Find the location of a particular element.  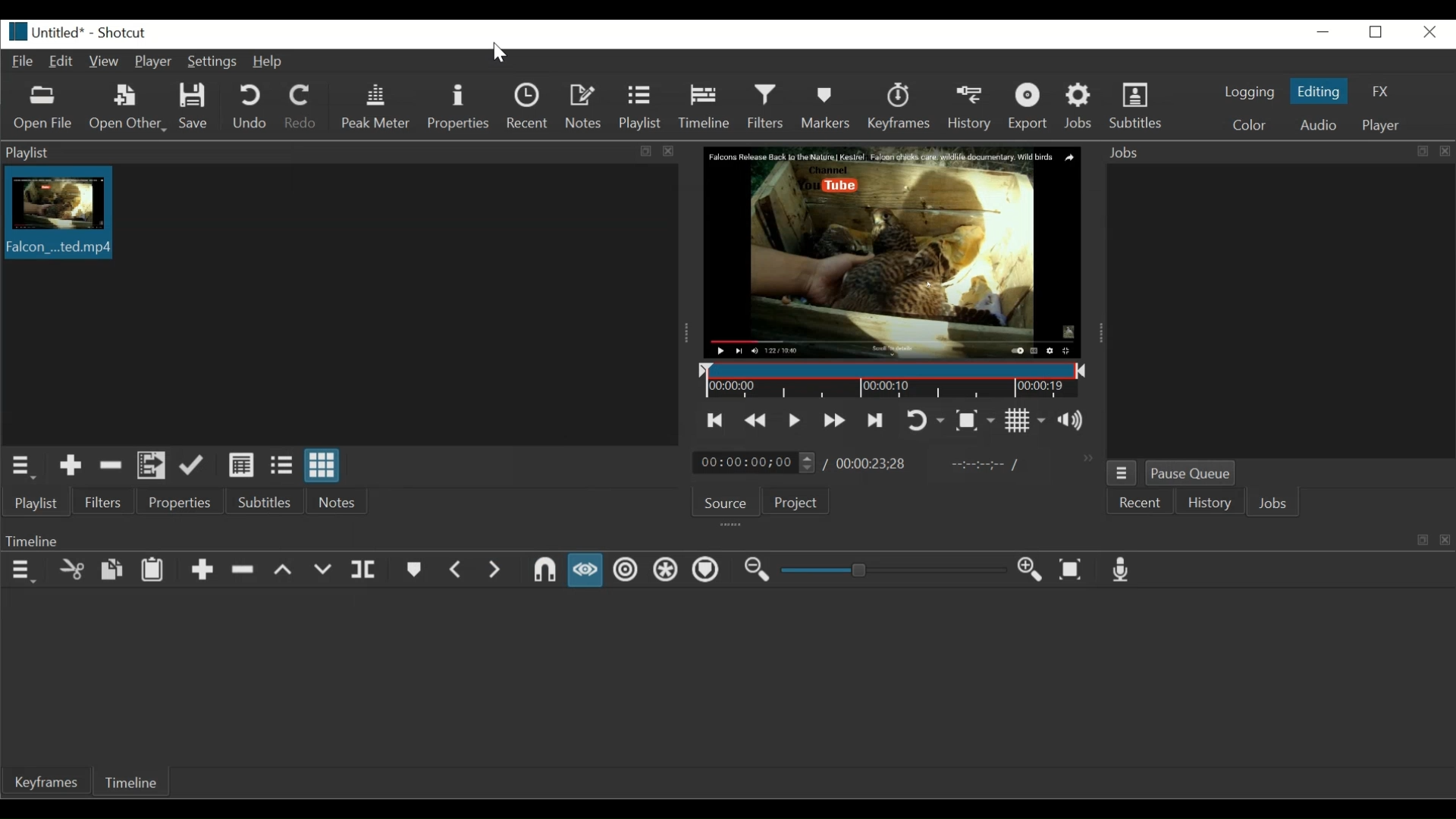

Toggle play or pause is located at coordinates (793, 419).